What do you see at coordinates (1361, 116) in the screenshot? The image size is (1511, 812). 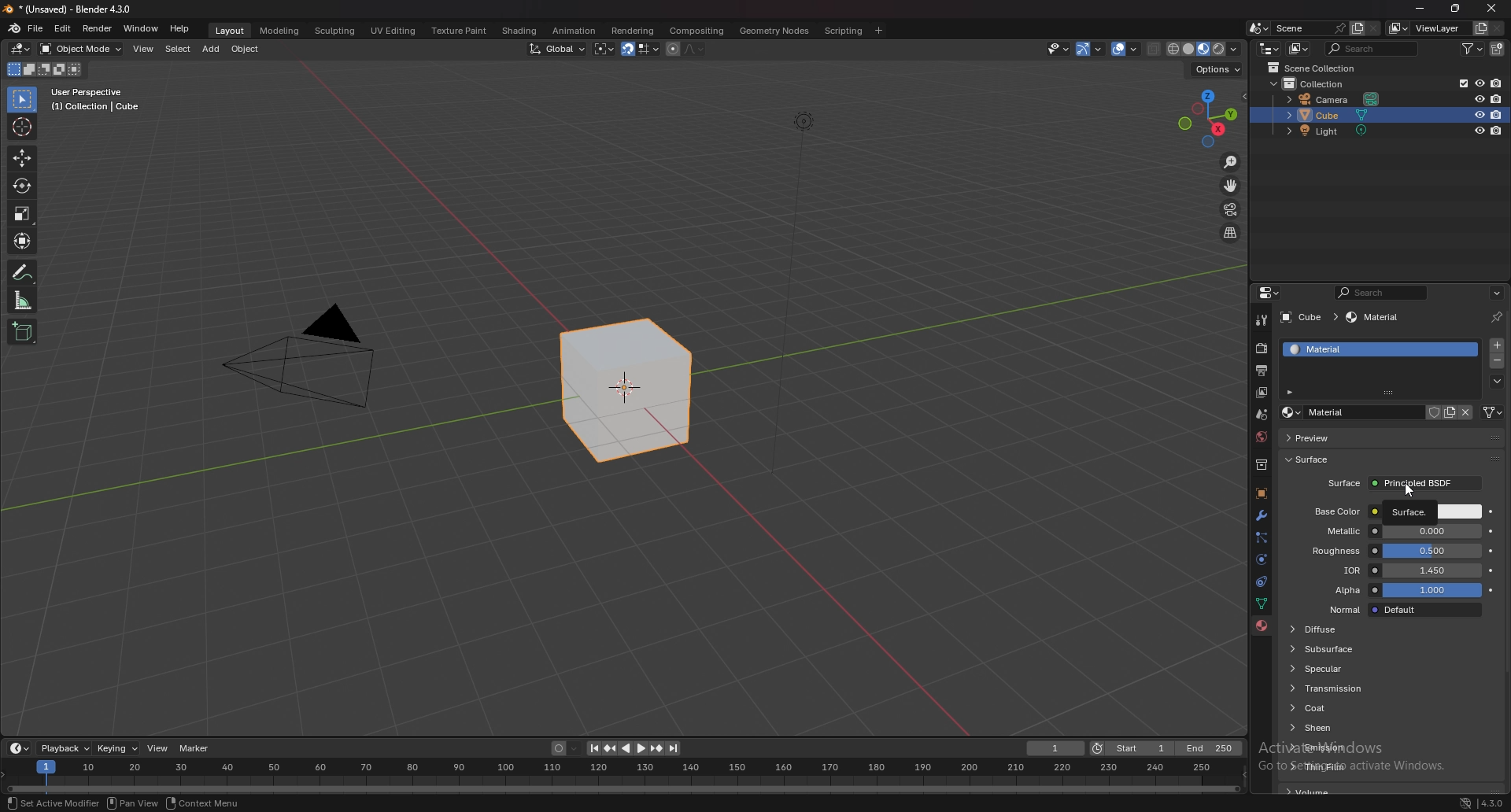 I see `cube` at bounding box center [1361, 116].